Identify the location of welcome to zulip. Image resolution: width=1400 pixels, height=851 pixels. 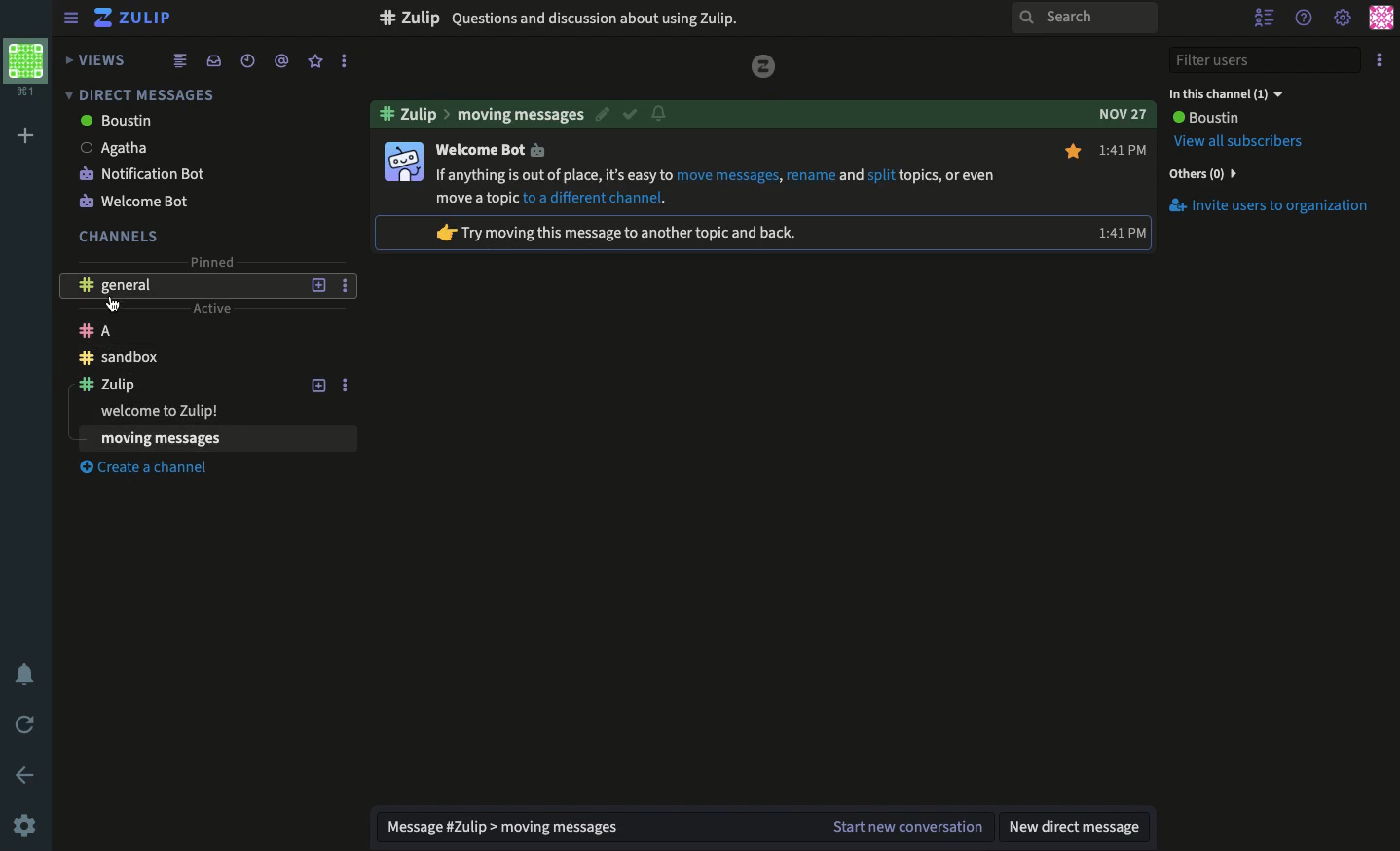
(182, 412).